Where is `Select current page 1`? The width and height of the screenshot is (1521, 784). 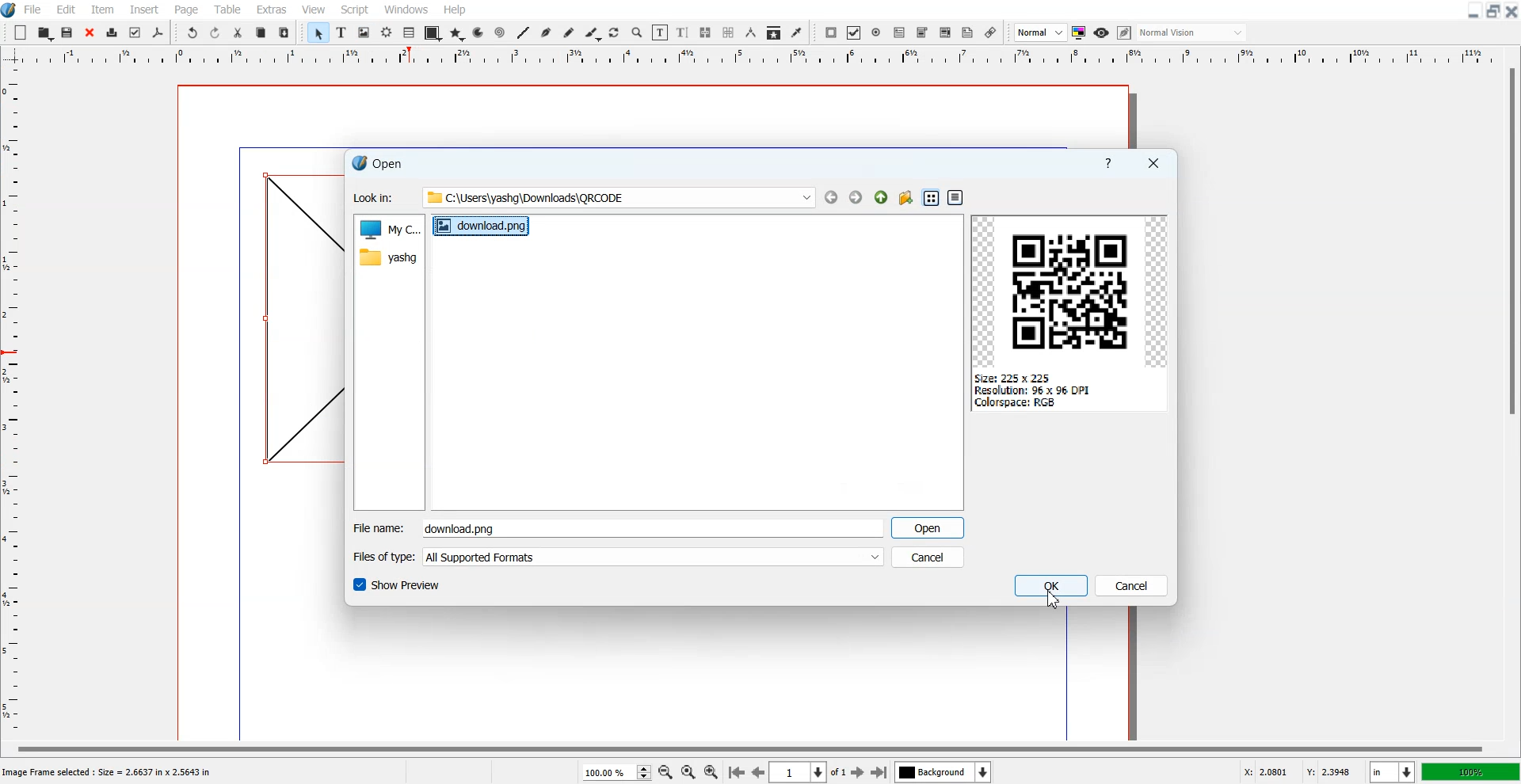
Select current page 1 is located at coordinates (810, 772).